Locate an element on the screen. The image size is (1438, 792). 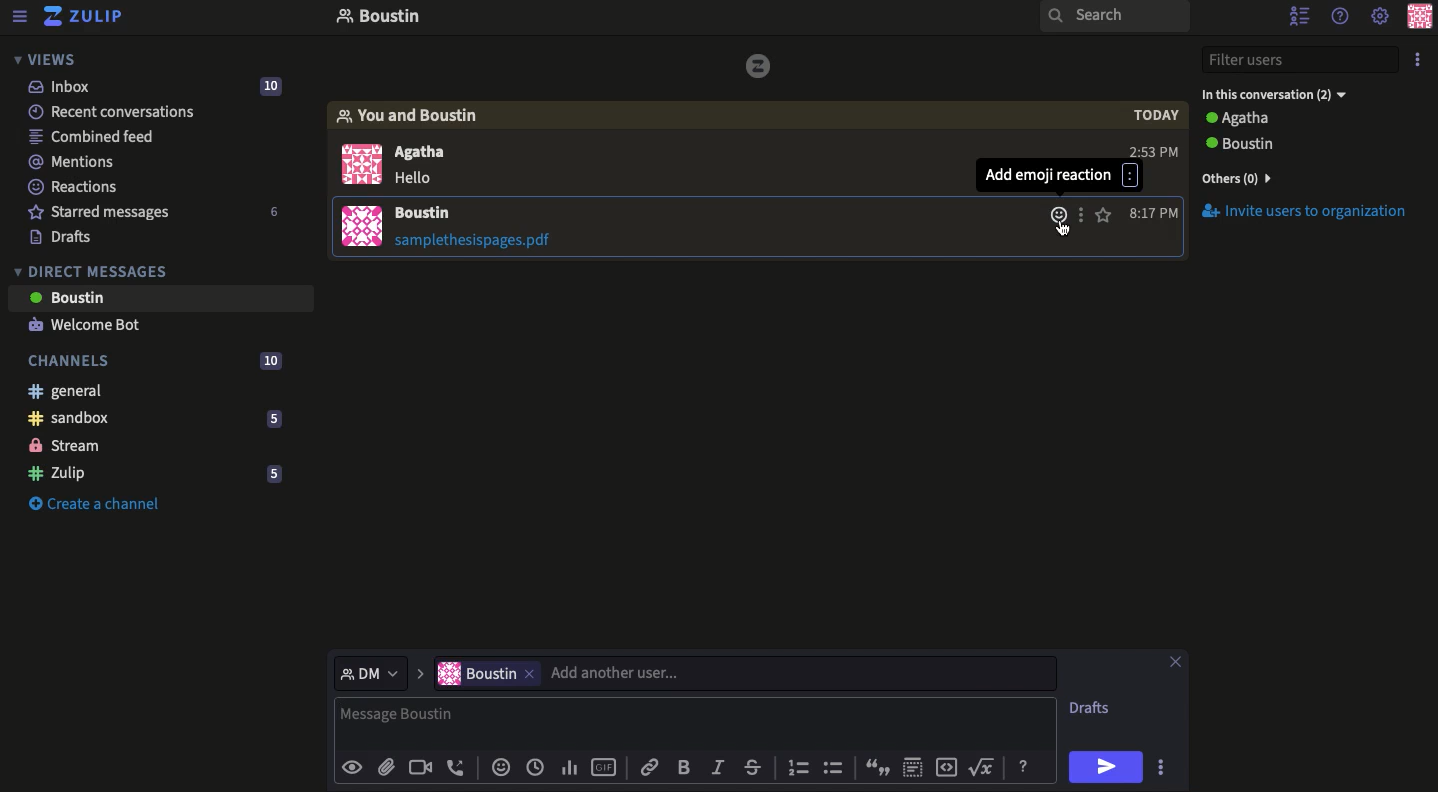
2:53 PM is located at coordinates (1153, 150).